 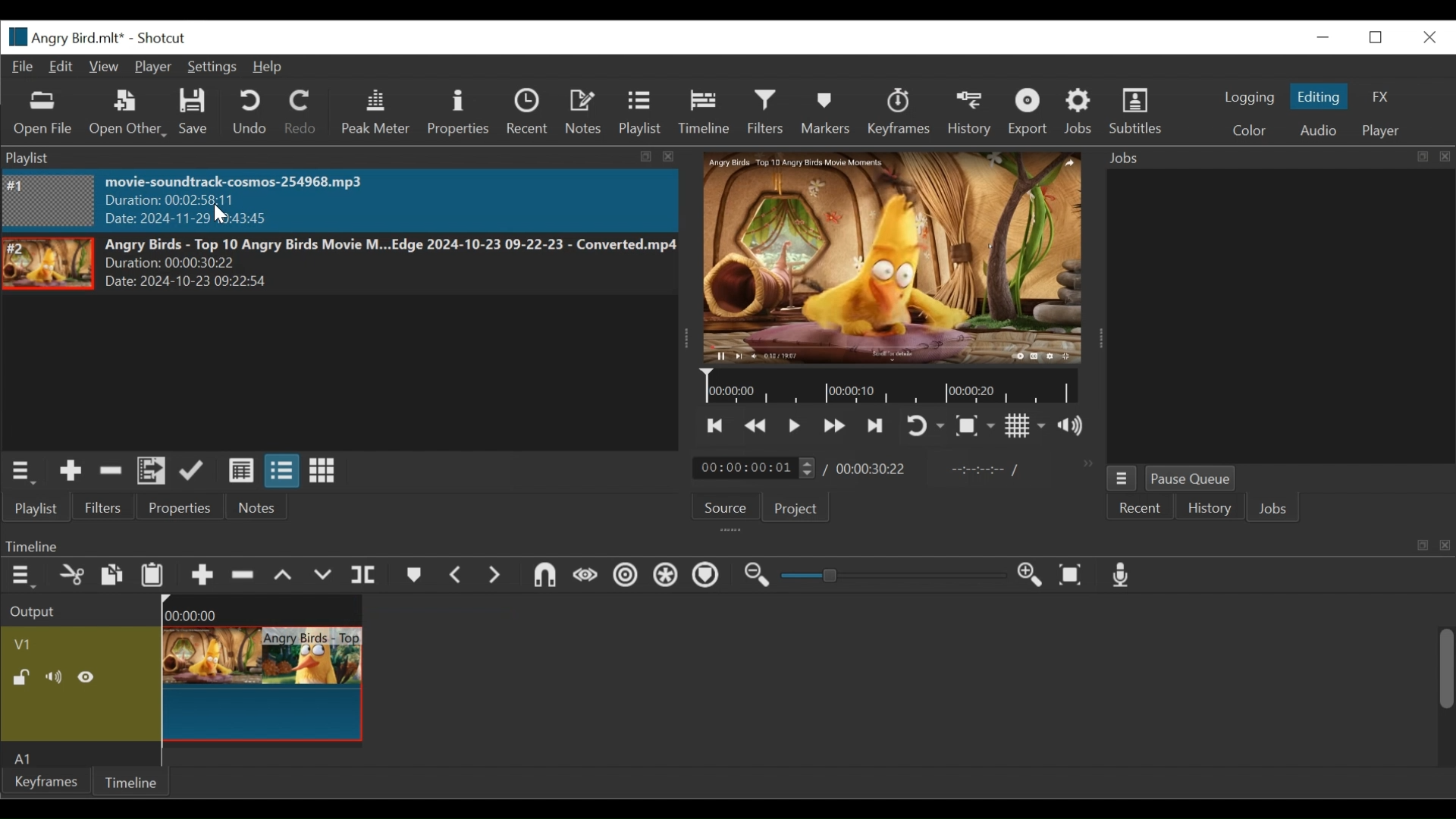 I want to click on Markers, so click(x=412, y=576).